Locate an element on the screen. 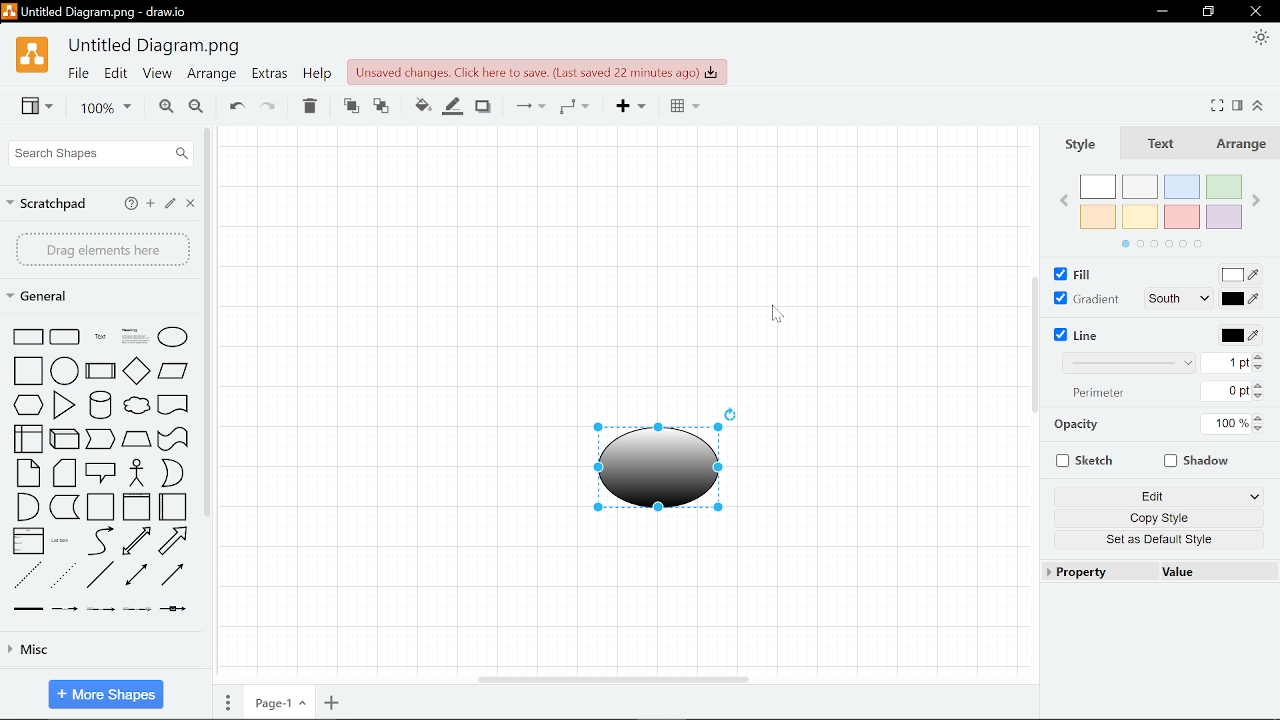 The image size is (1280, 720). Appearence is located at coordinates (1258, 38).